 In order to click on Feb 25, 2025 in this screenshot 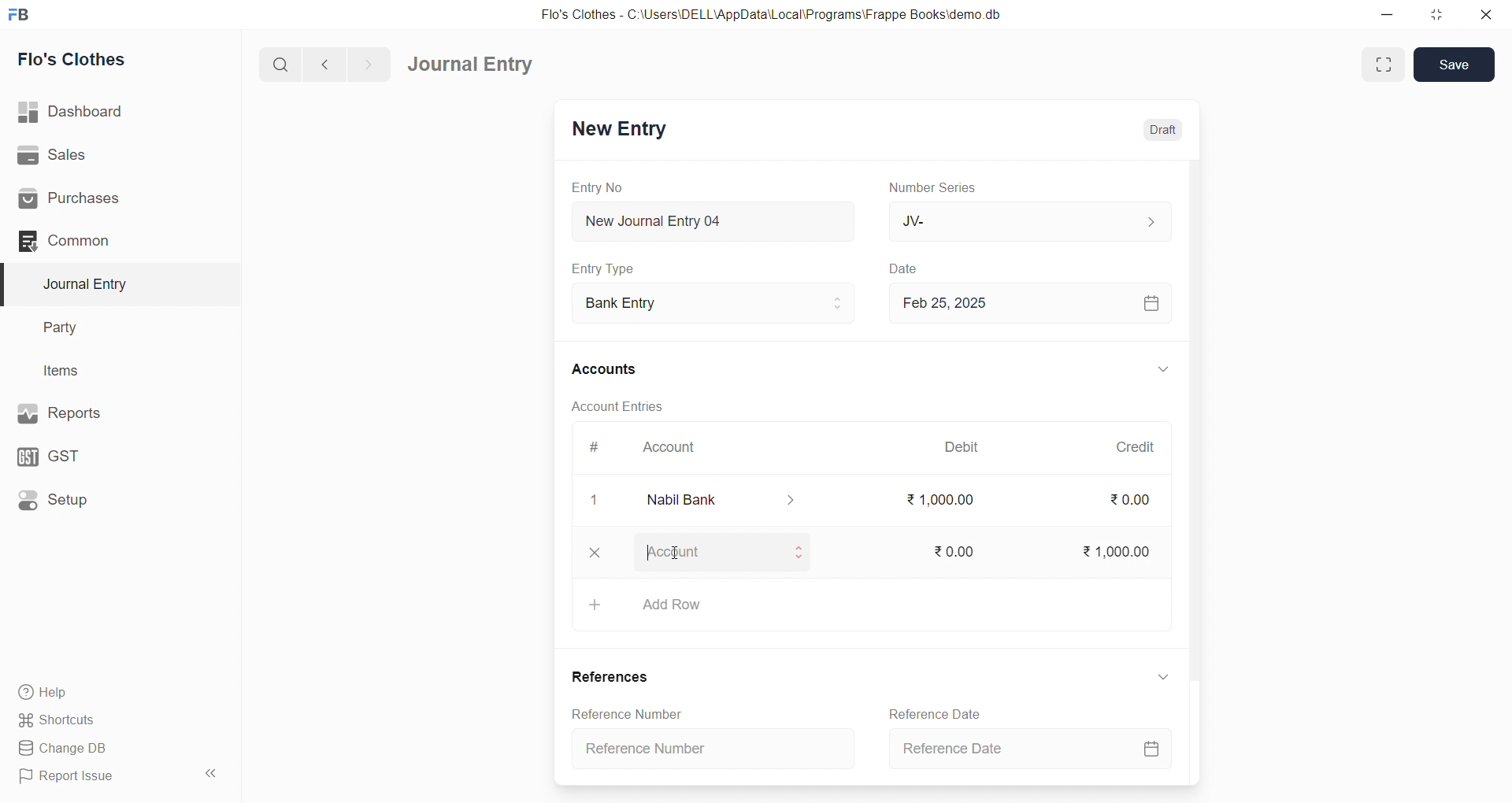, I will do `click(1027, 302)`.